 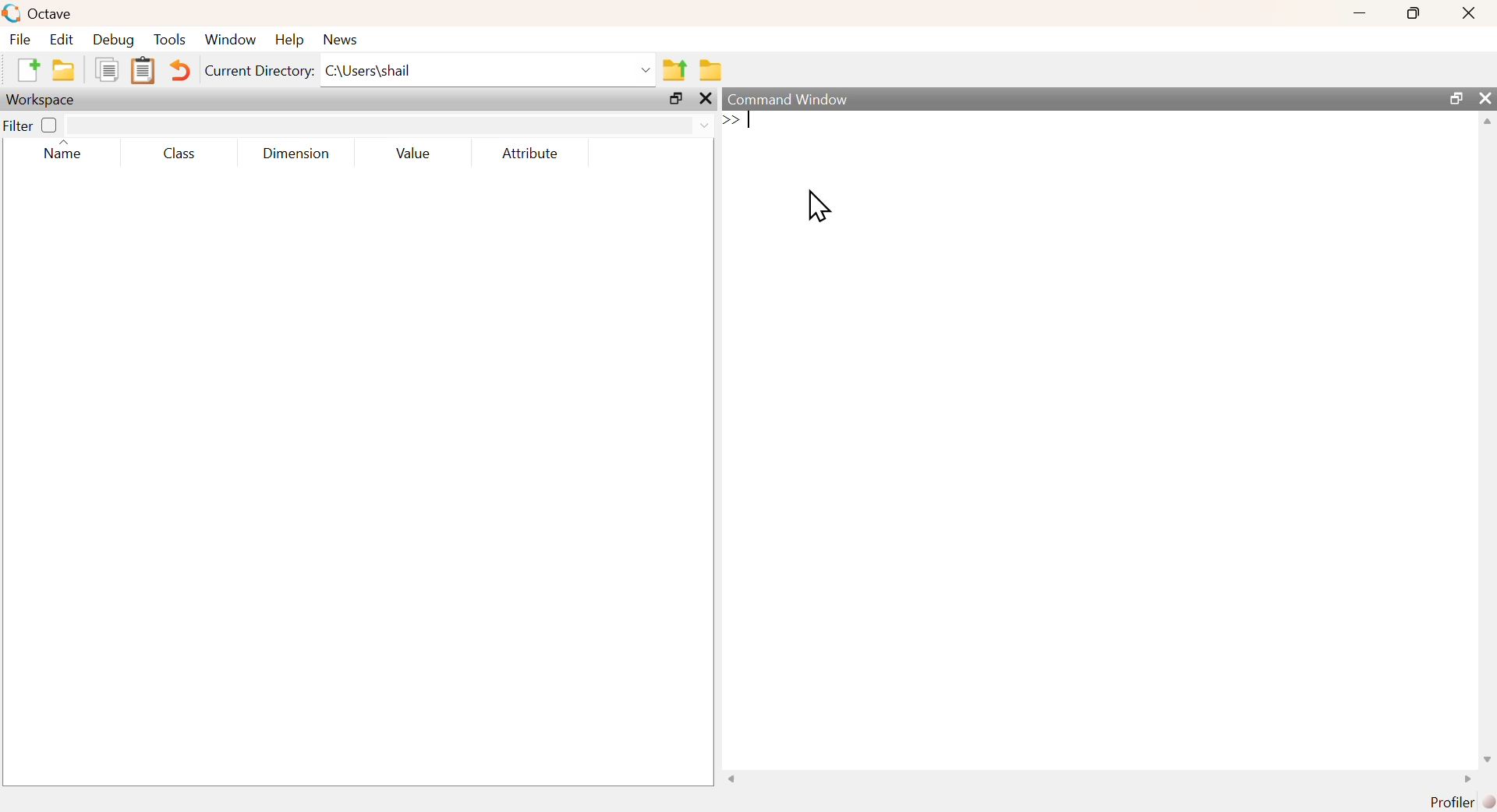 What do you see at coordinates (674, 70) in the screenshot?
I see `Previous Folder` at bounding box center [674, 70].